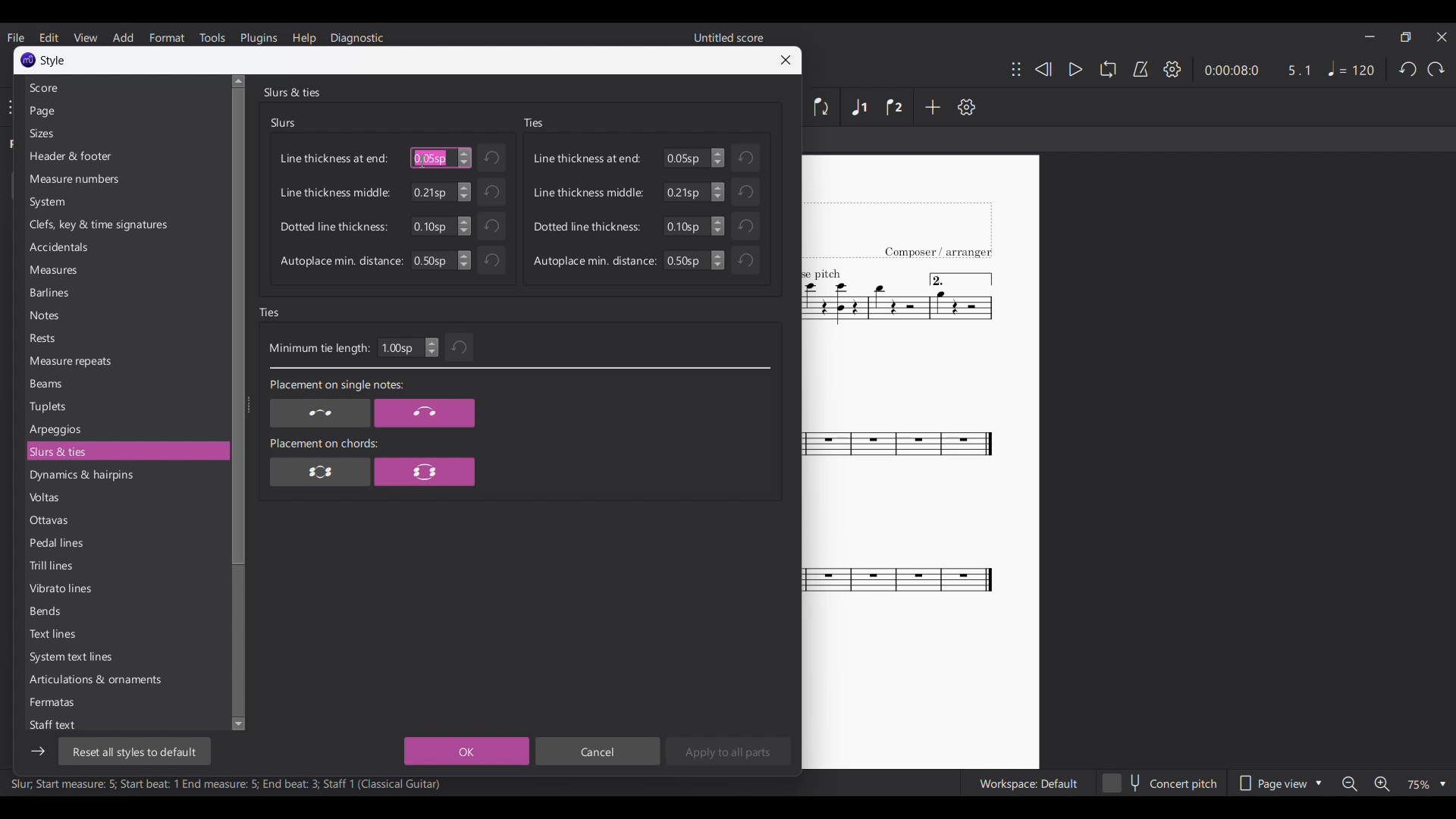 This screenshot has height=819, width=1456. I want to click on Close interface, so click(1442, 37).